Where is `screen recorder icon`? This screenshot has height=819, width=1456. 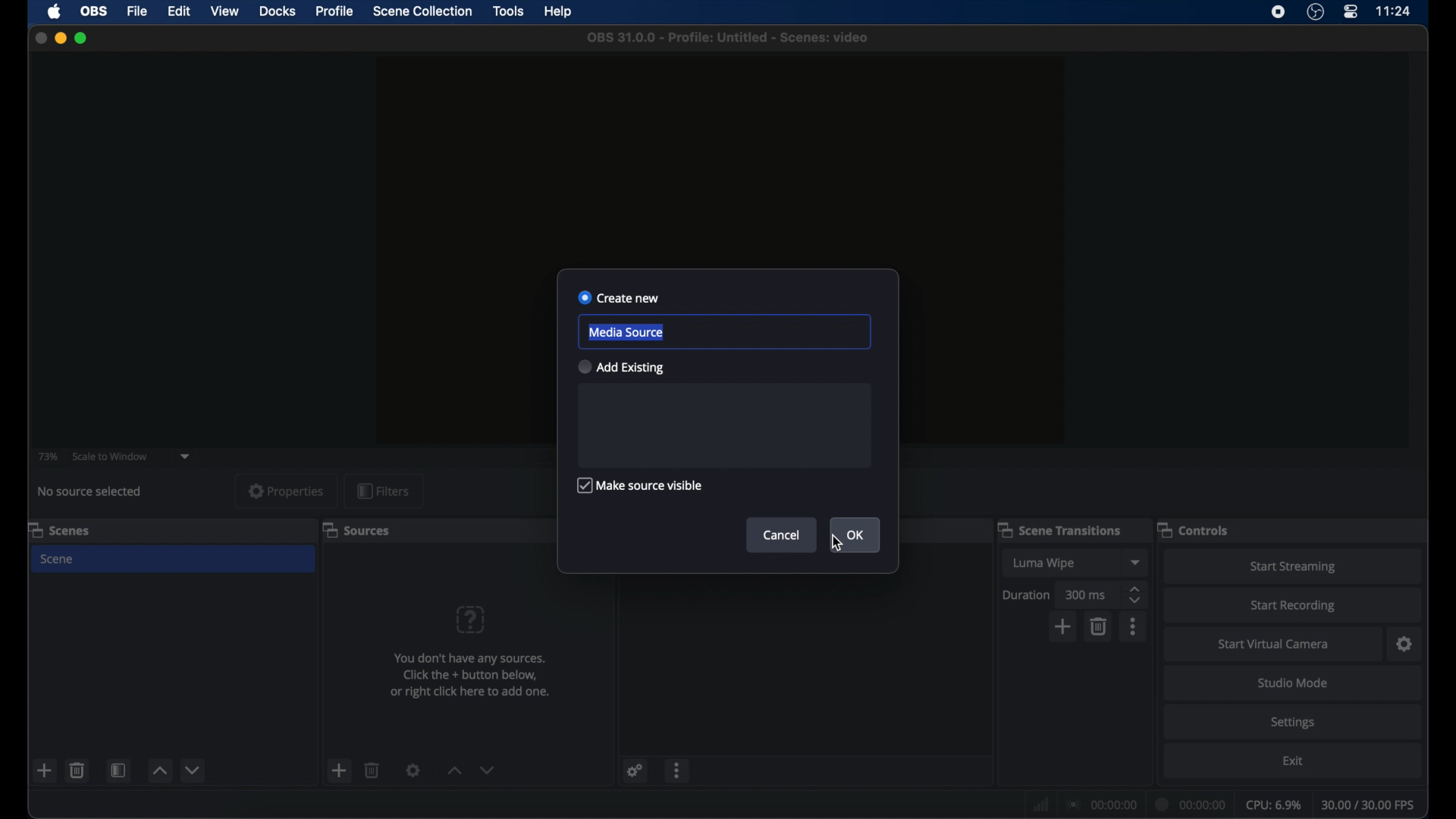 screen recorder icon is located at coordinates (1277, 11).